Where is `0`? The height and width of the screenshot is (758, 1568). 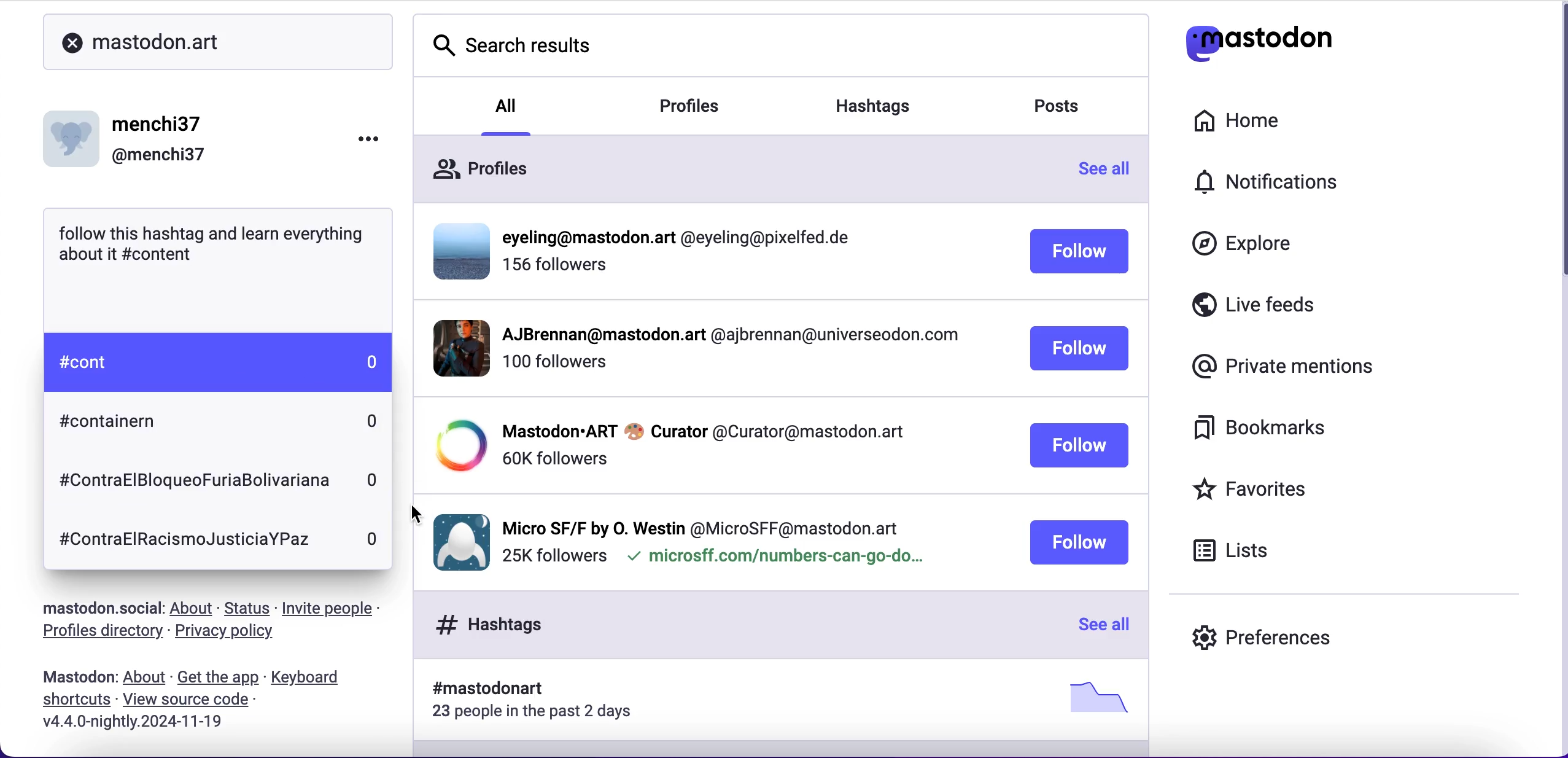 0 is located at coordinates (375, 361).